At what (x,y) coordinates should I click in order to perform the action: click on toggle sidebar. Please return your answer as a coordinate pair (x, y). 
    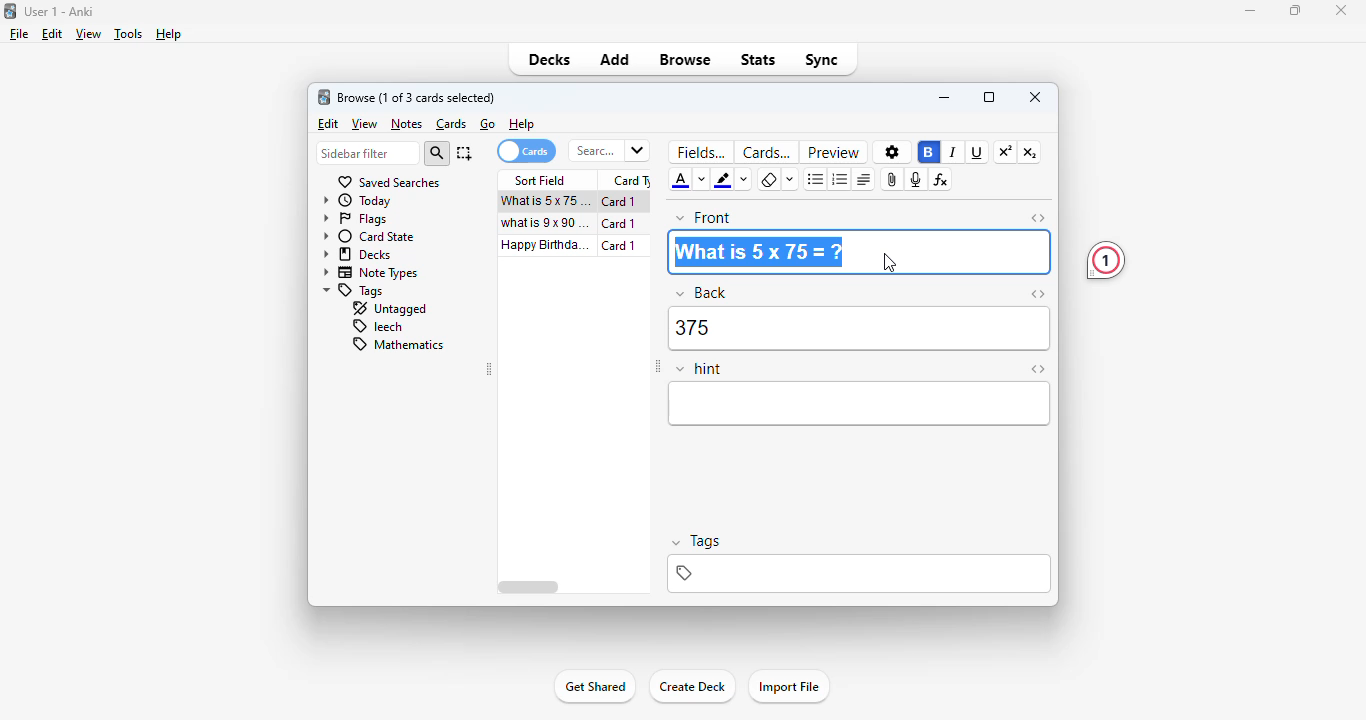
    Looking at the image, I should click on (488, 368).